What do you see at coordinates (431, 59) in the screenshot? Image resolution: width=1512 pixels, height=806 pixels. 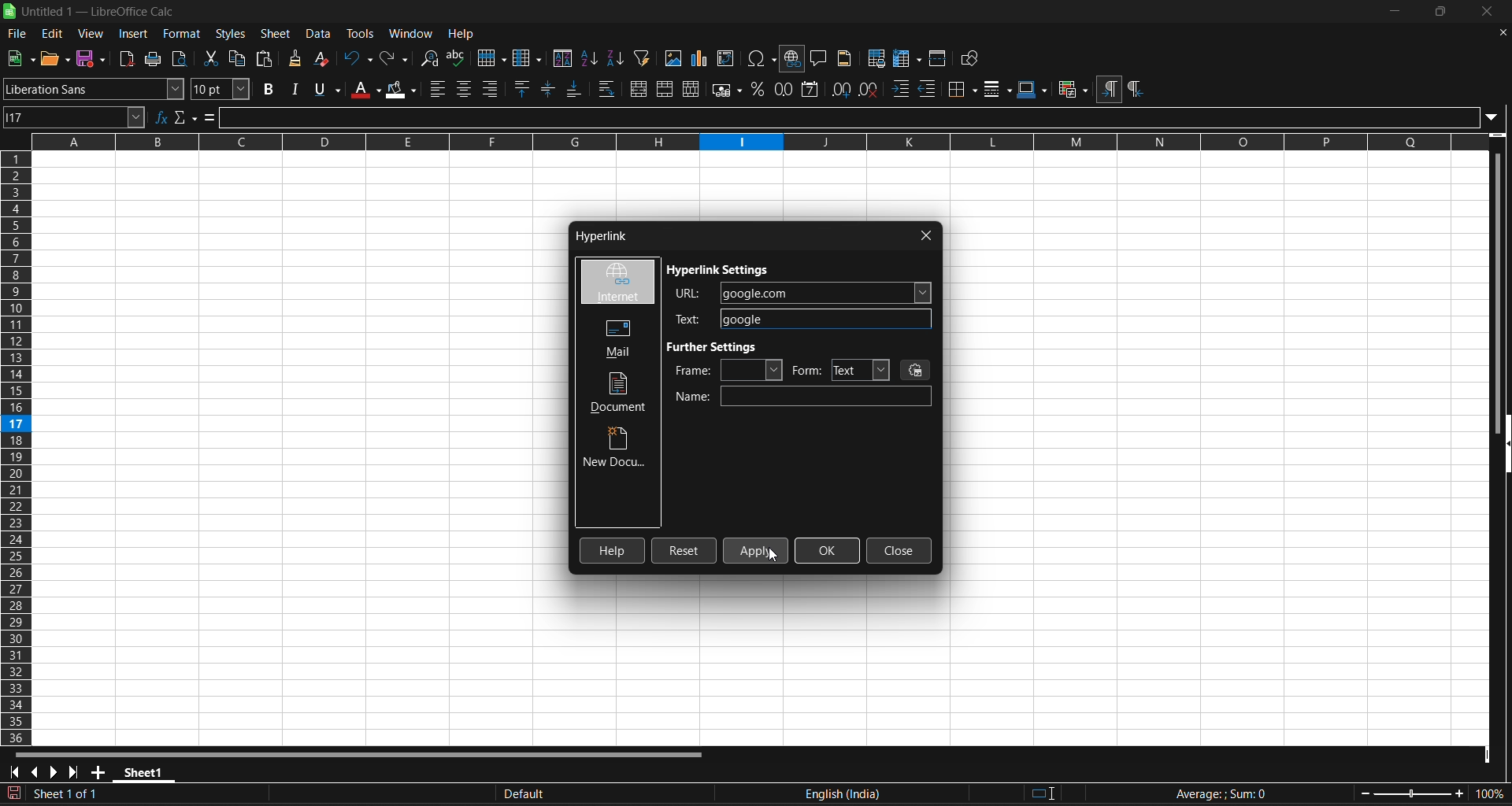 I see `find and replace` at bounding box center [431, 59].